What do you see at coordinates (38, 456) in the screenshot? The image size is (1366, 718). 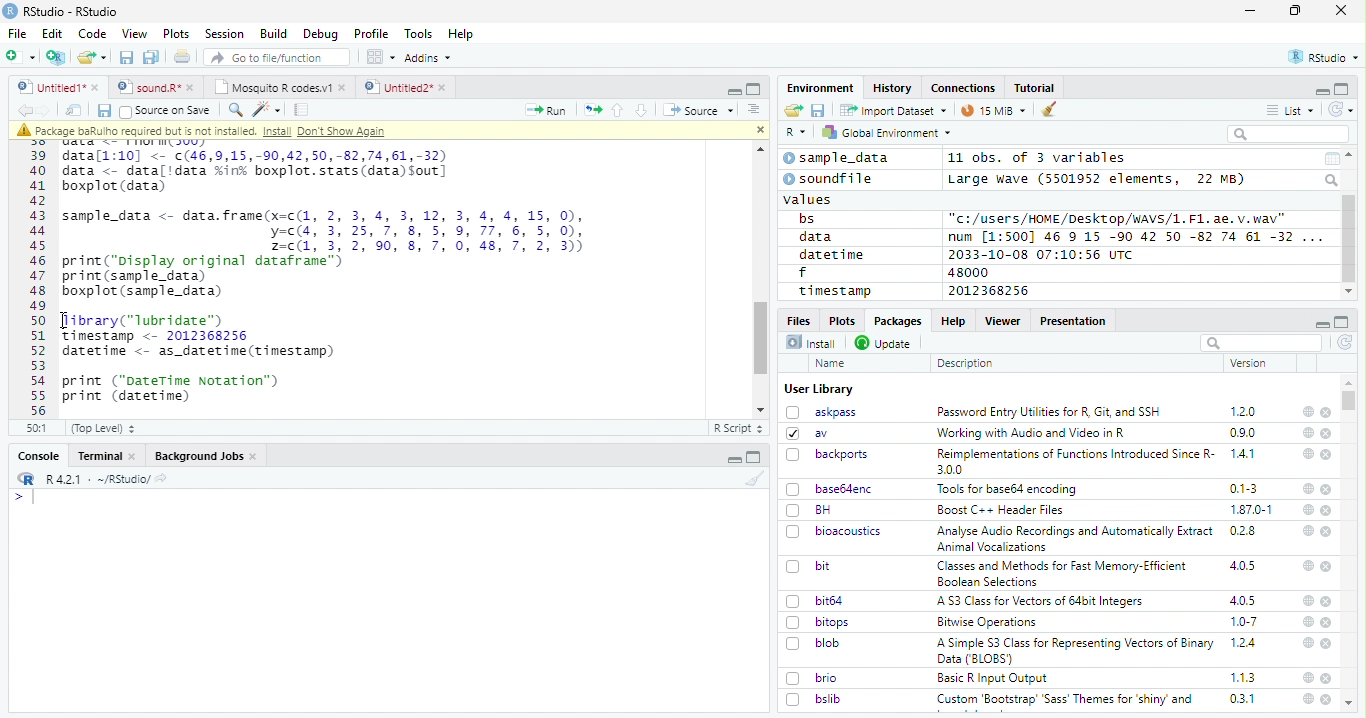 I see `Console` at bounding box center [38, 456].